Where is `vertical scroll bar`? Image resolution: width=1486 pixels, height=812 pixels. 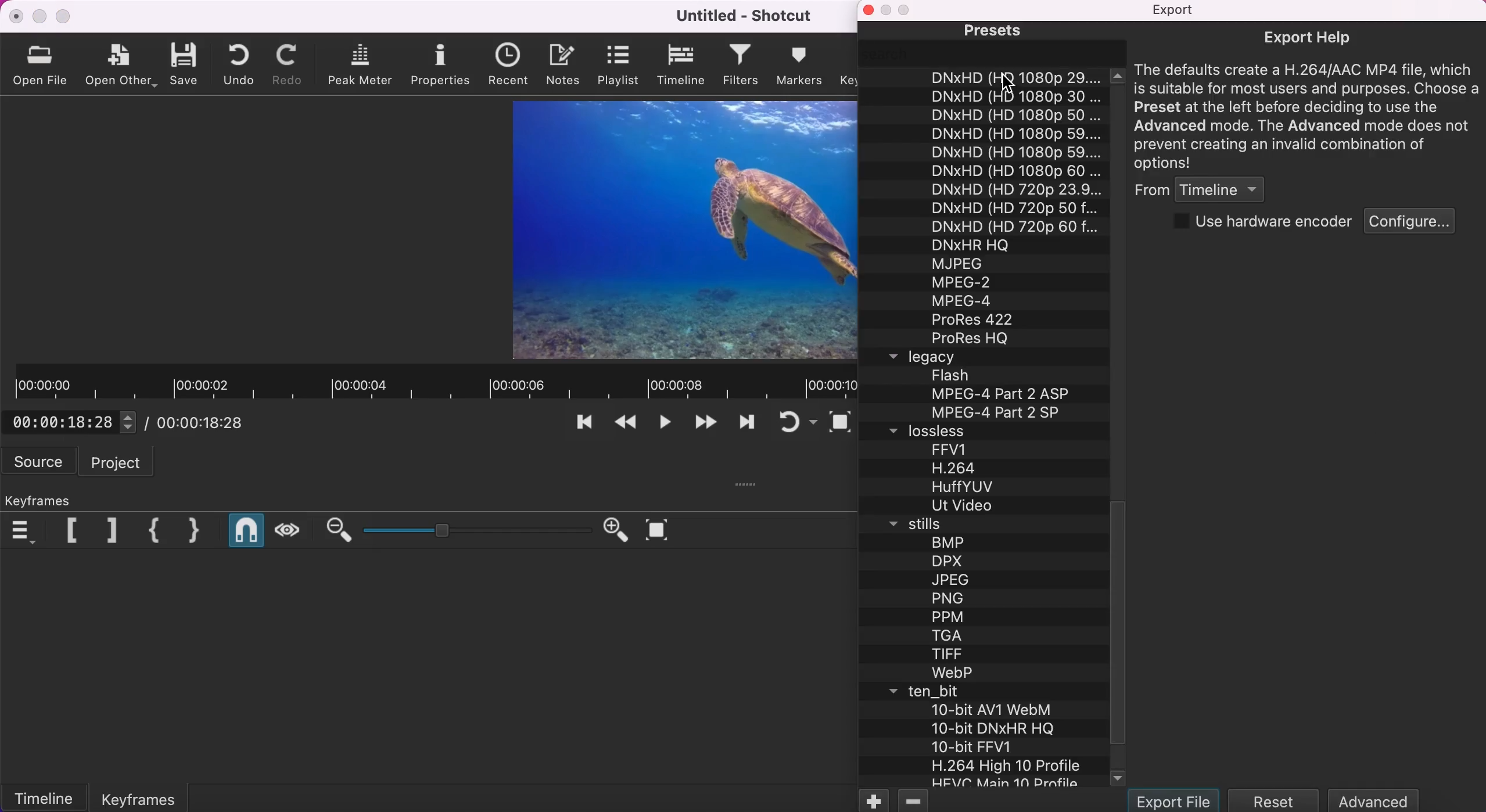
vertical scroll bar is located at coordinates (1116, 426).